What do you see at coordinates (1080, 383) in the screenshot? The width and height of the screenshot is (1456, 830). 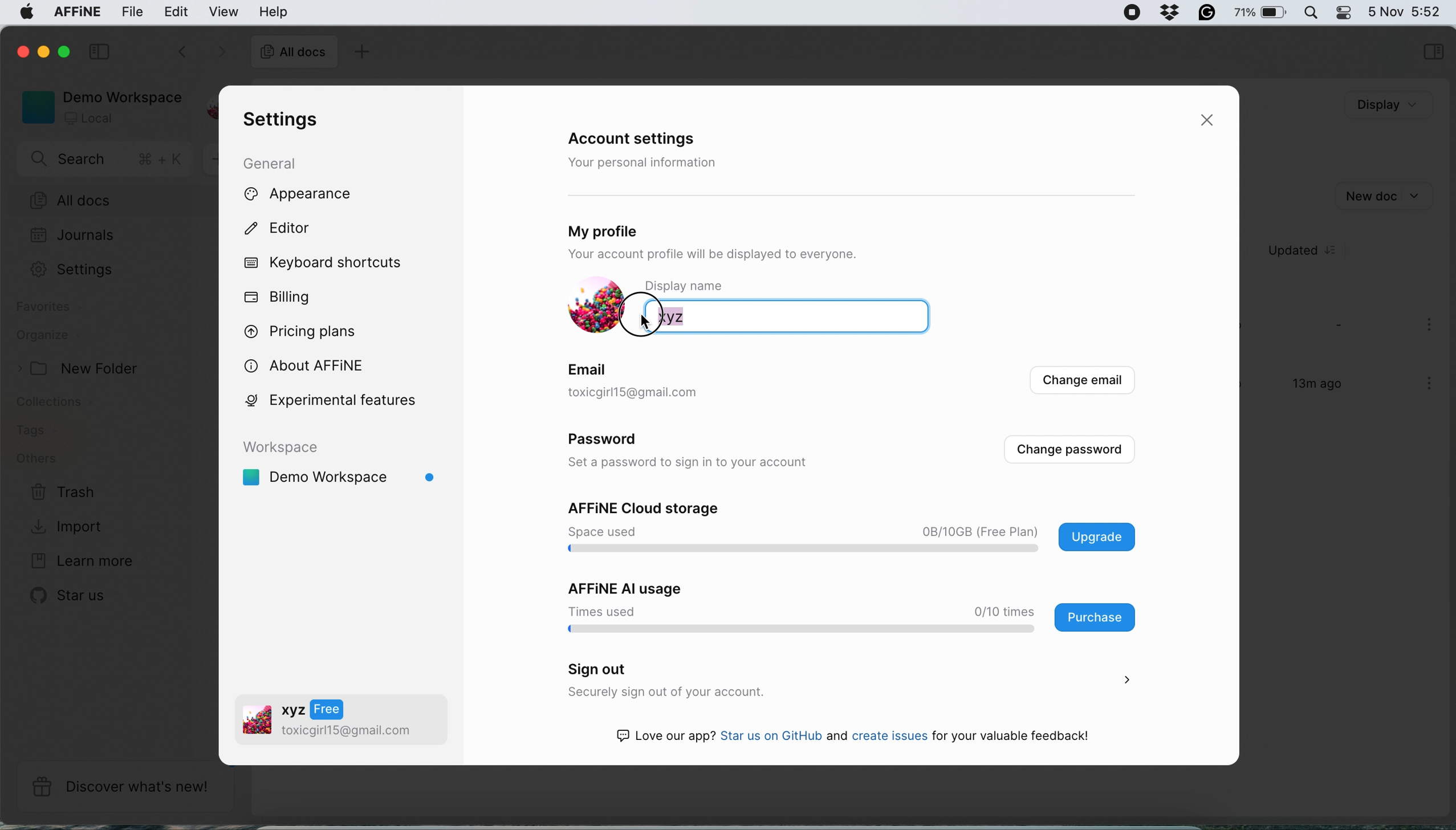 I see `change email` at bounding box center [1080, 383].